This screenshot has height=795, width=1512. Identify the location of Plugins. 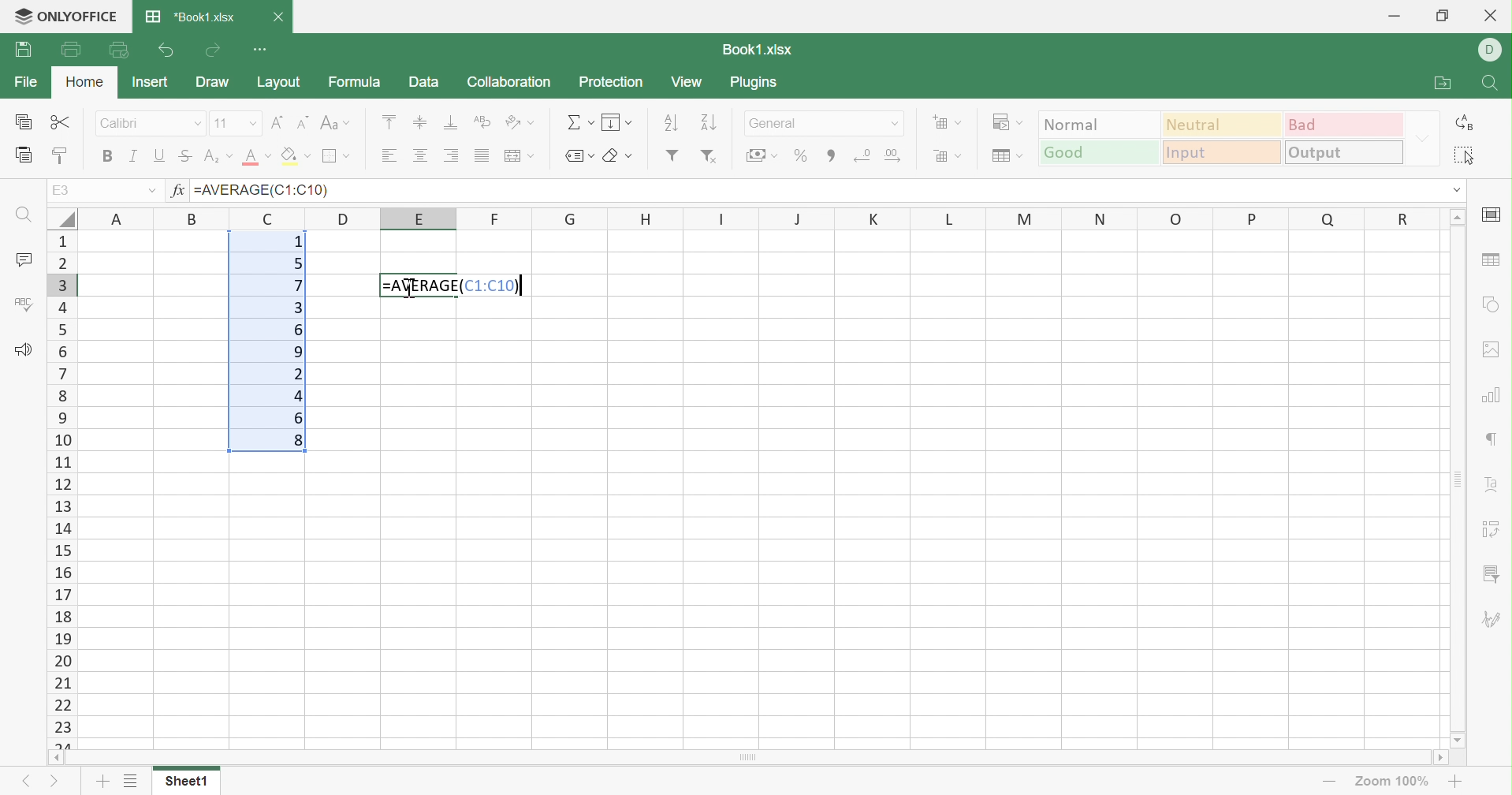
(754, 84).